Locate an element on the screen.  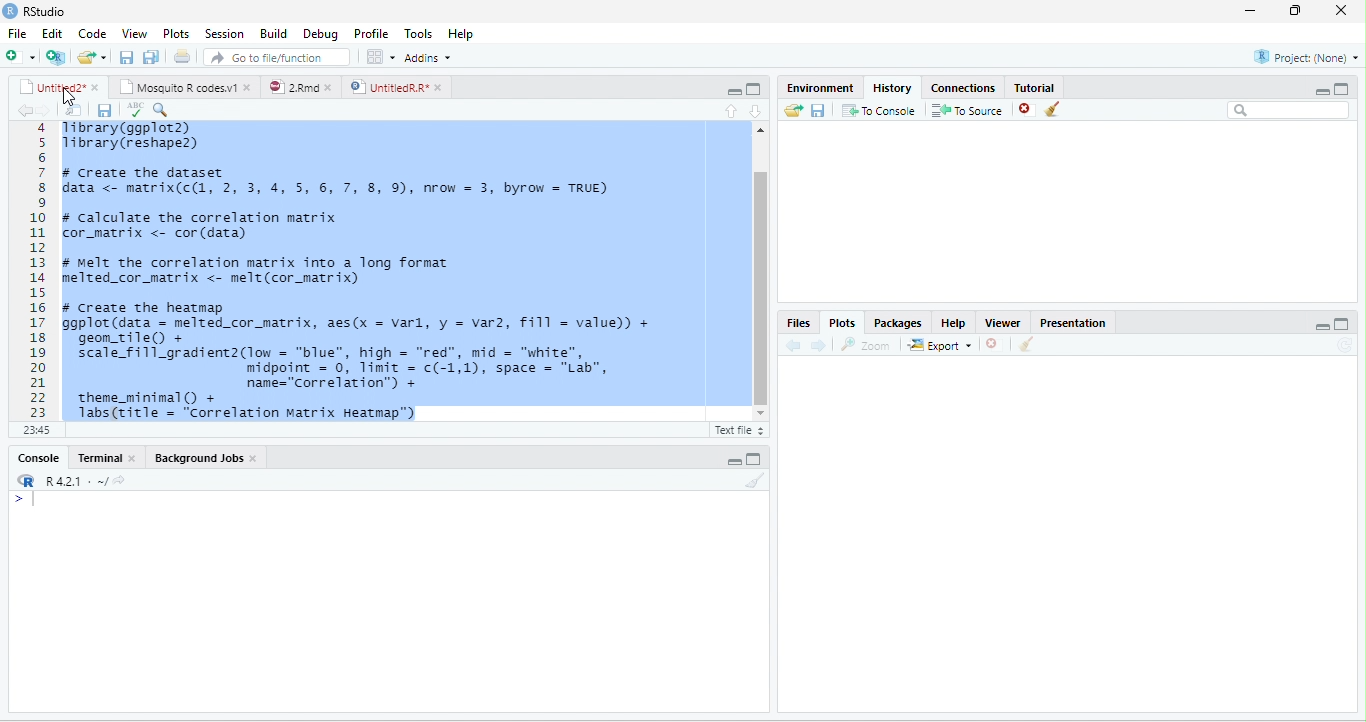
to source is located at coordinates (965, 111).